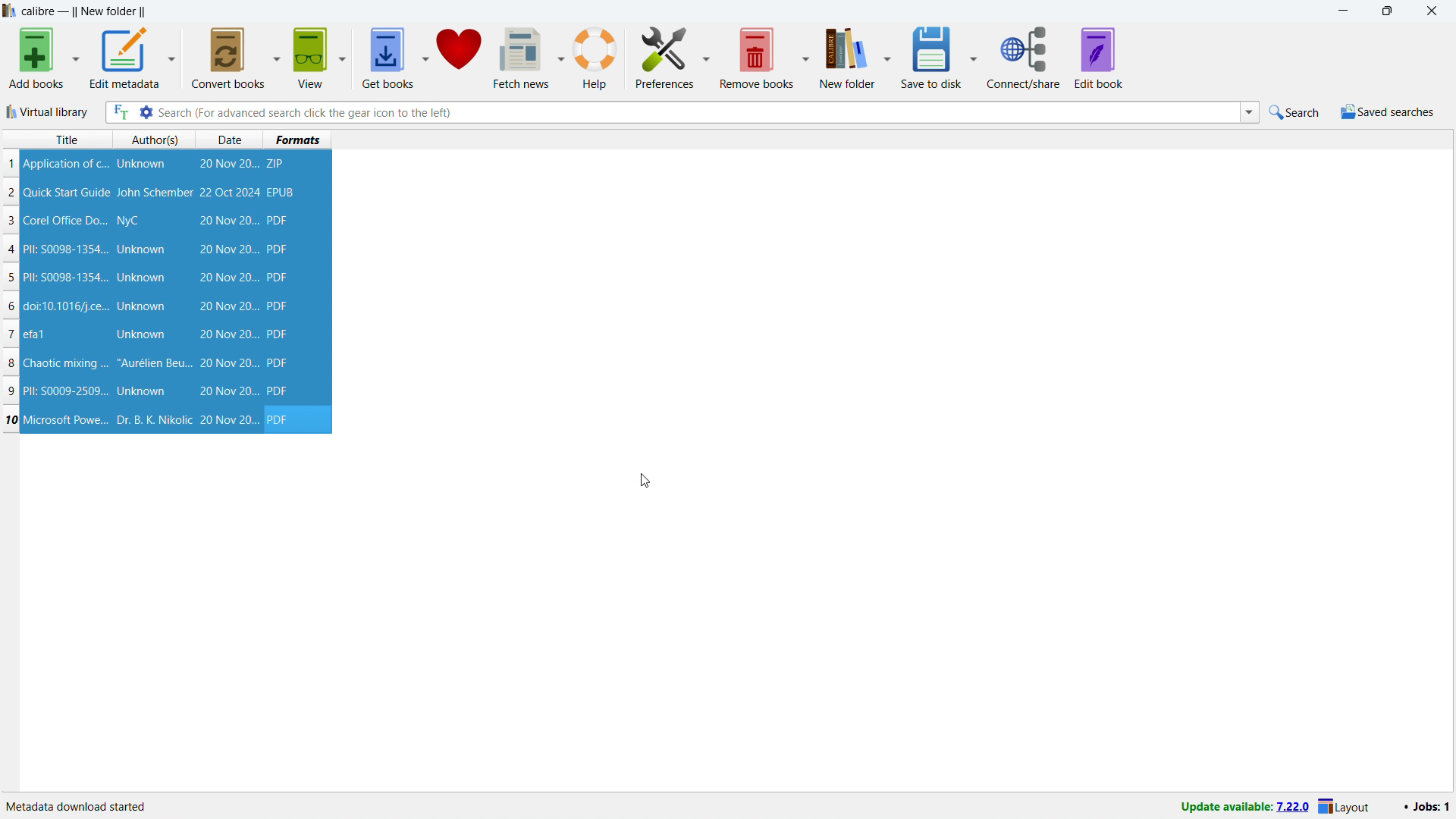  Describe the element at coordinates (36, 334) in the screenshot. I see `efa1` at that location.